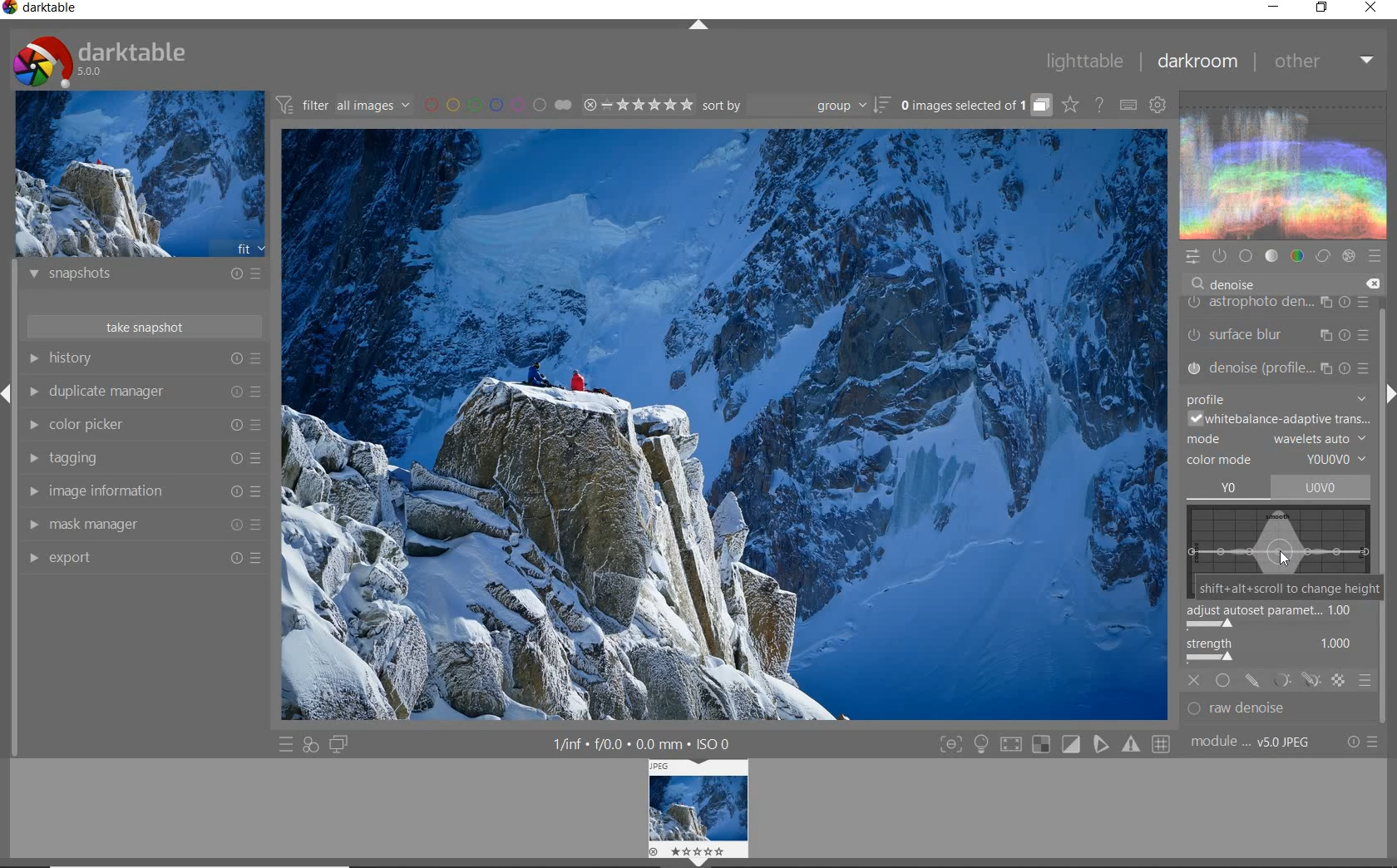 Image resolution: width=1397 pixels, height=868 pixels. What do you see at coordinates (796, 106) in the screenshot?
I see `sort` at bounding box center [796, 106].